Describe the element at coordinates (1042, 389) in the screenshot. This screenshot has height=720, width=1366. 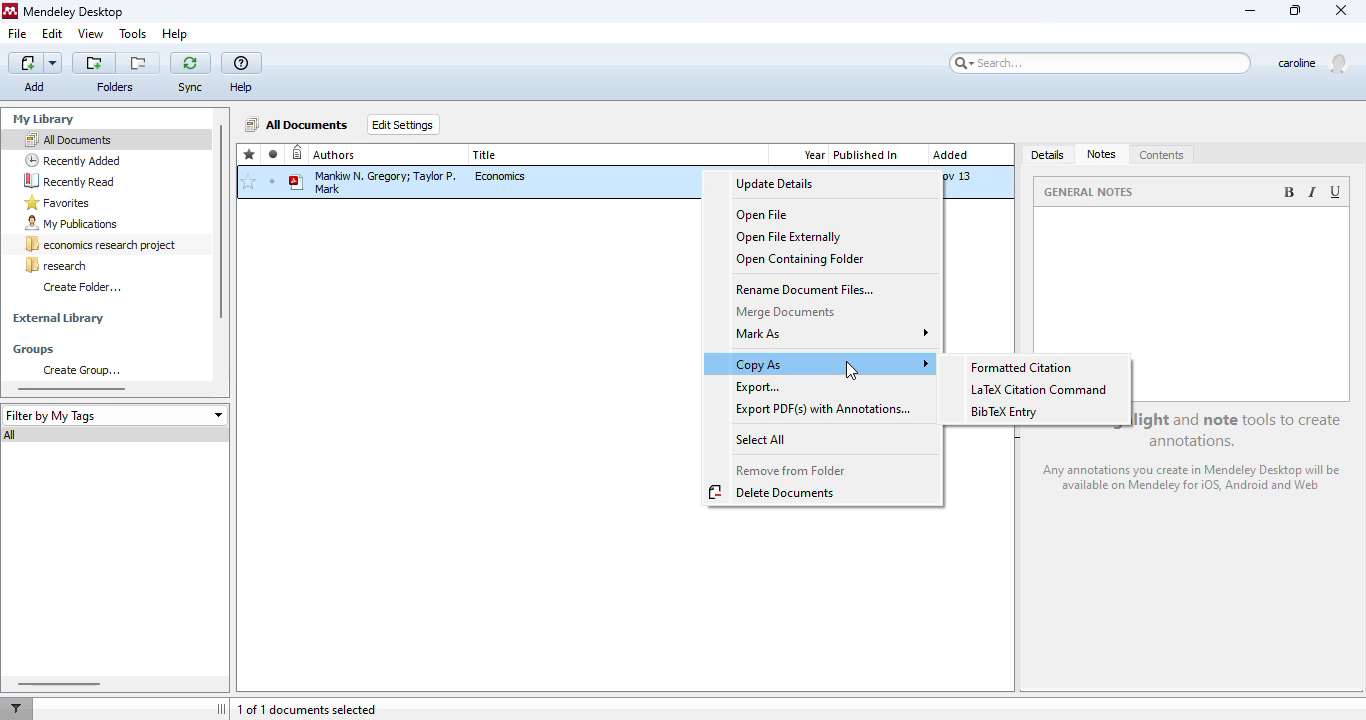
I see `LaTex citation command` at that location.